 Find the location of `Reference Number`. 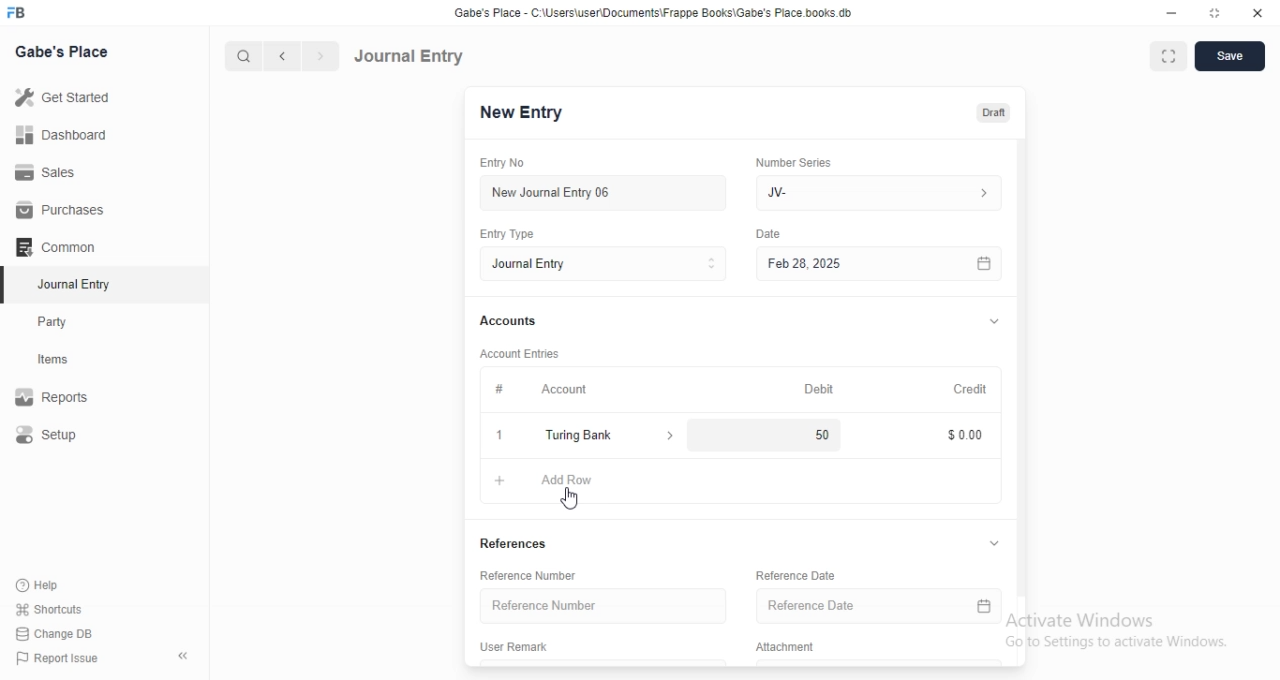

Reference Number is located at coordinates (537, 576).